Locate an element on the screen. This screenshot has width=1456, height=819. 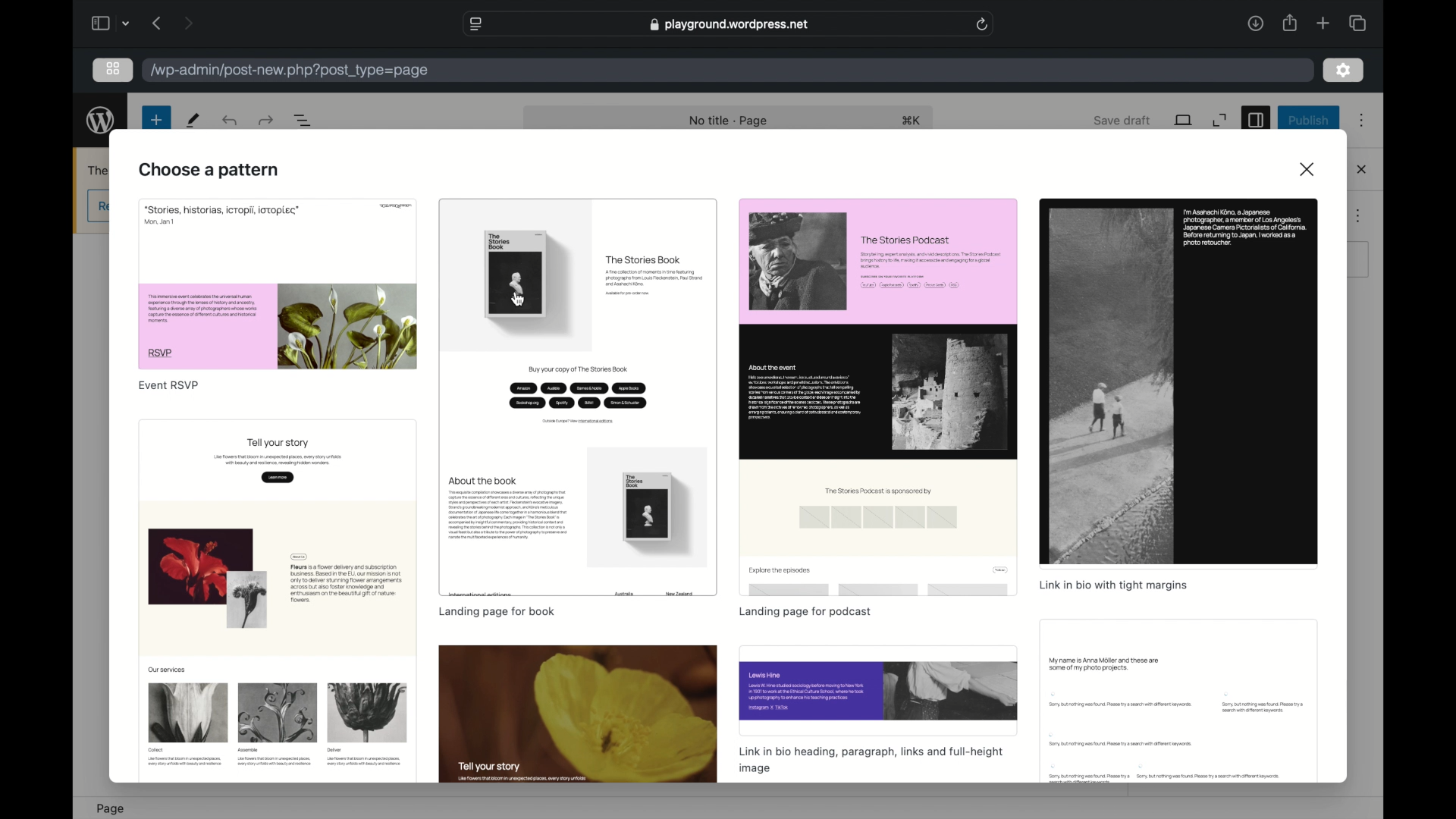
publish is located at coordinates (1310, 121).